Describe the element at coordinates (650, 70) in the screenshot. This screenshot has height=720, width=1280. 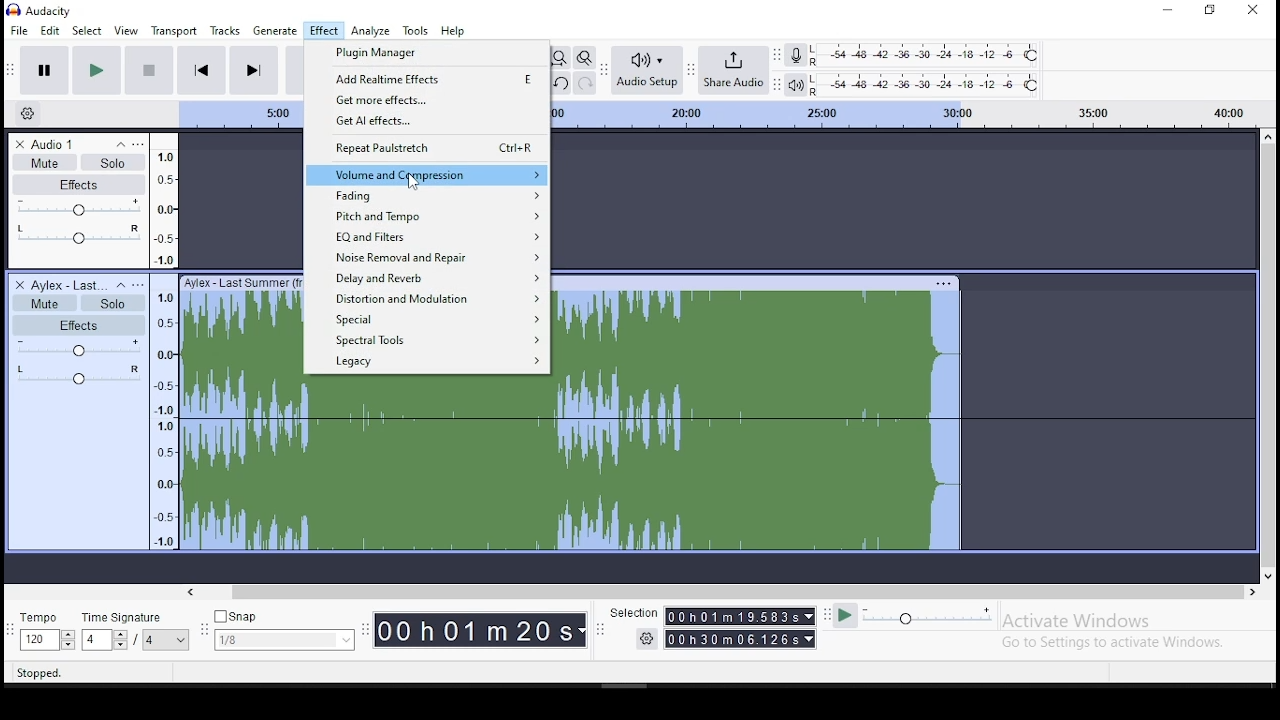
I see `audio setup` at that location.